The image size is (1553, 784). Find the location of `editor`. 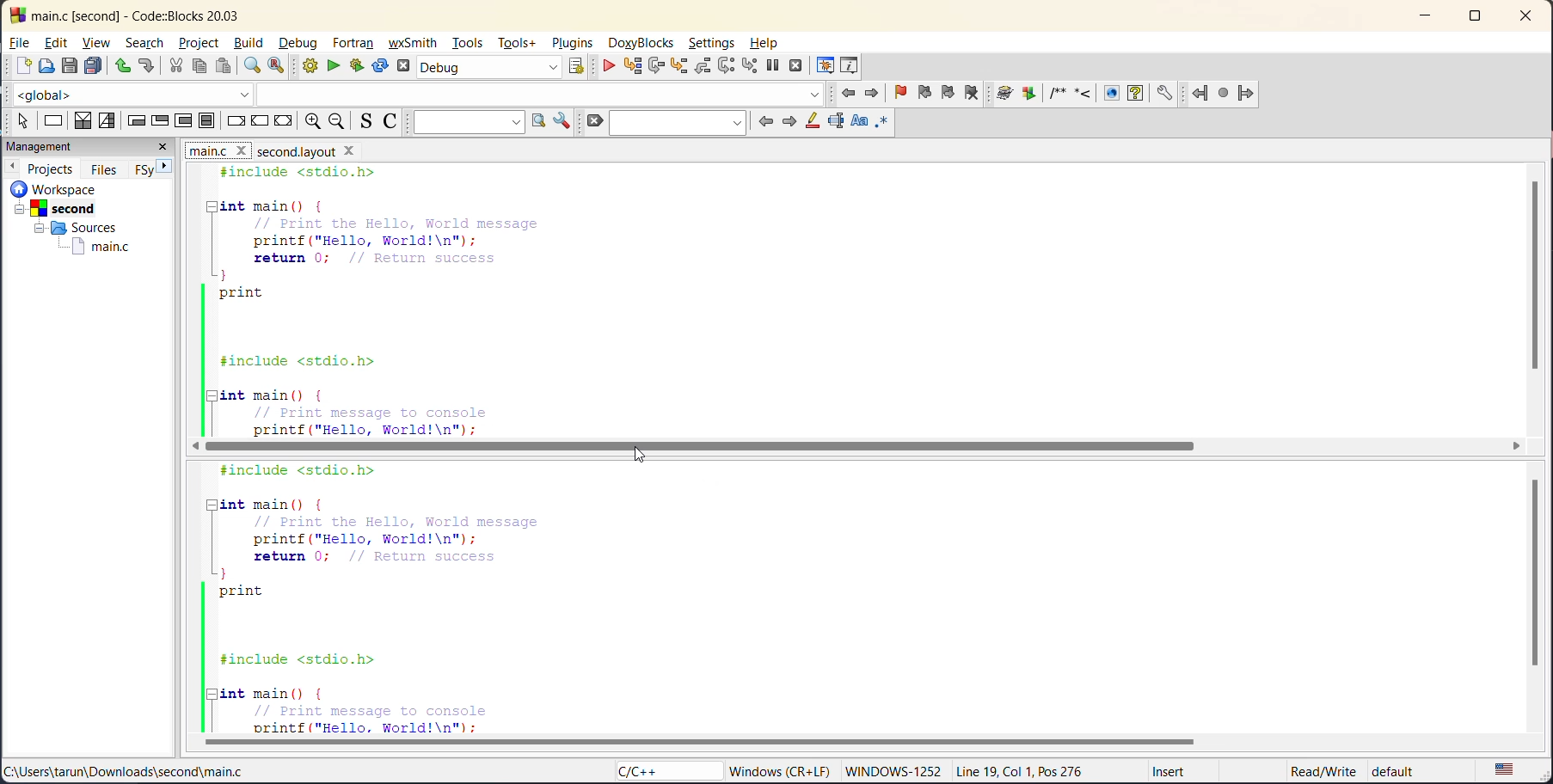

editor is located at coordinates (787, 300).